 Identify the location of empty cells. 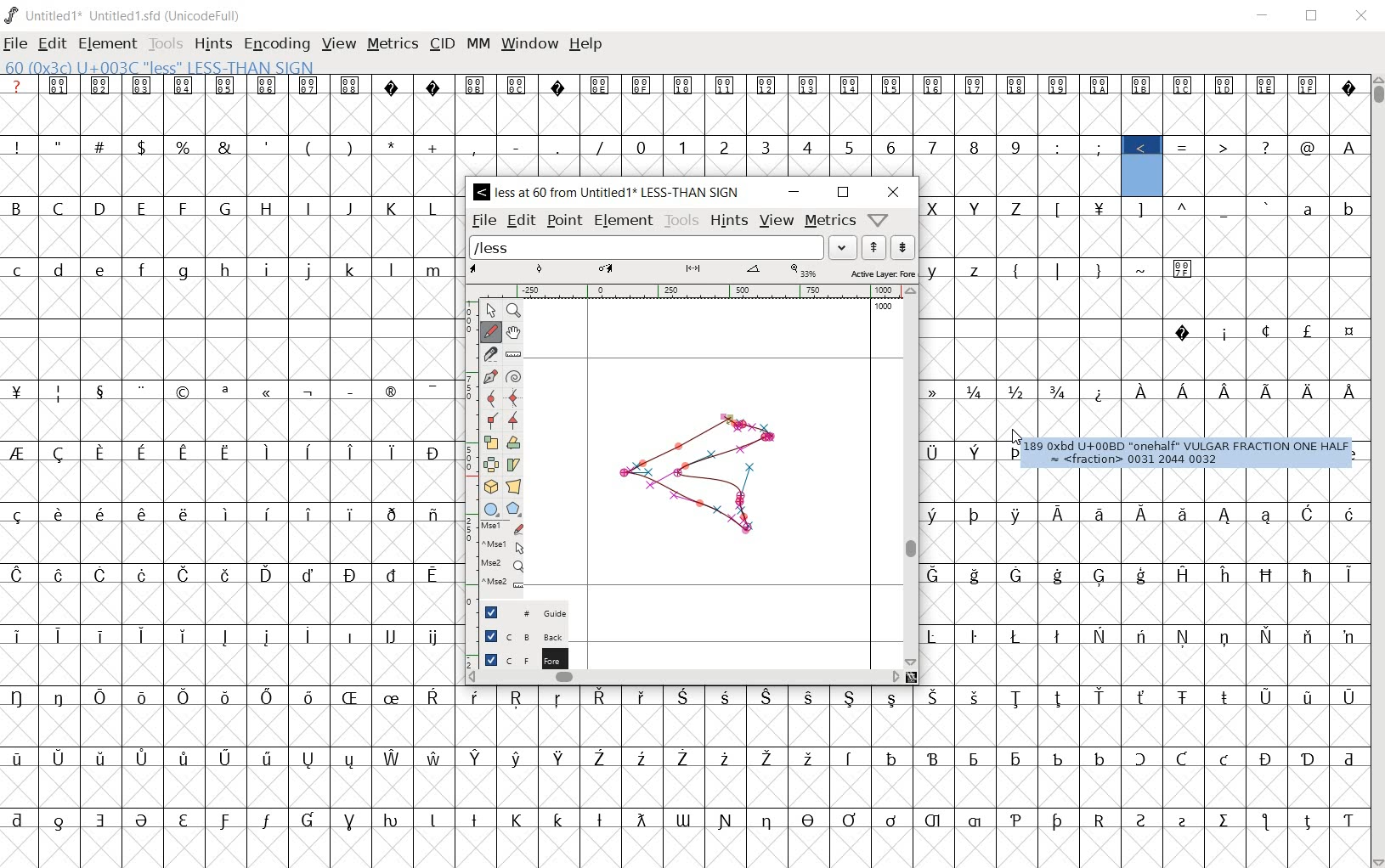
(235, 482).